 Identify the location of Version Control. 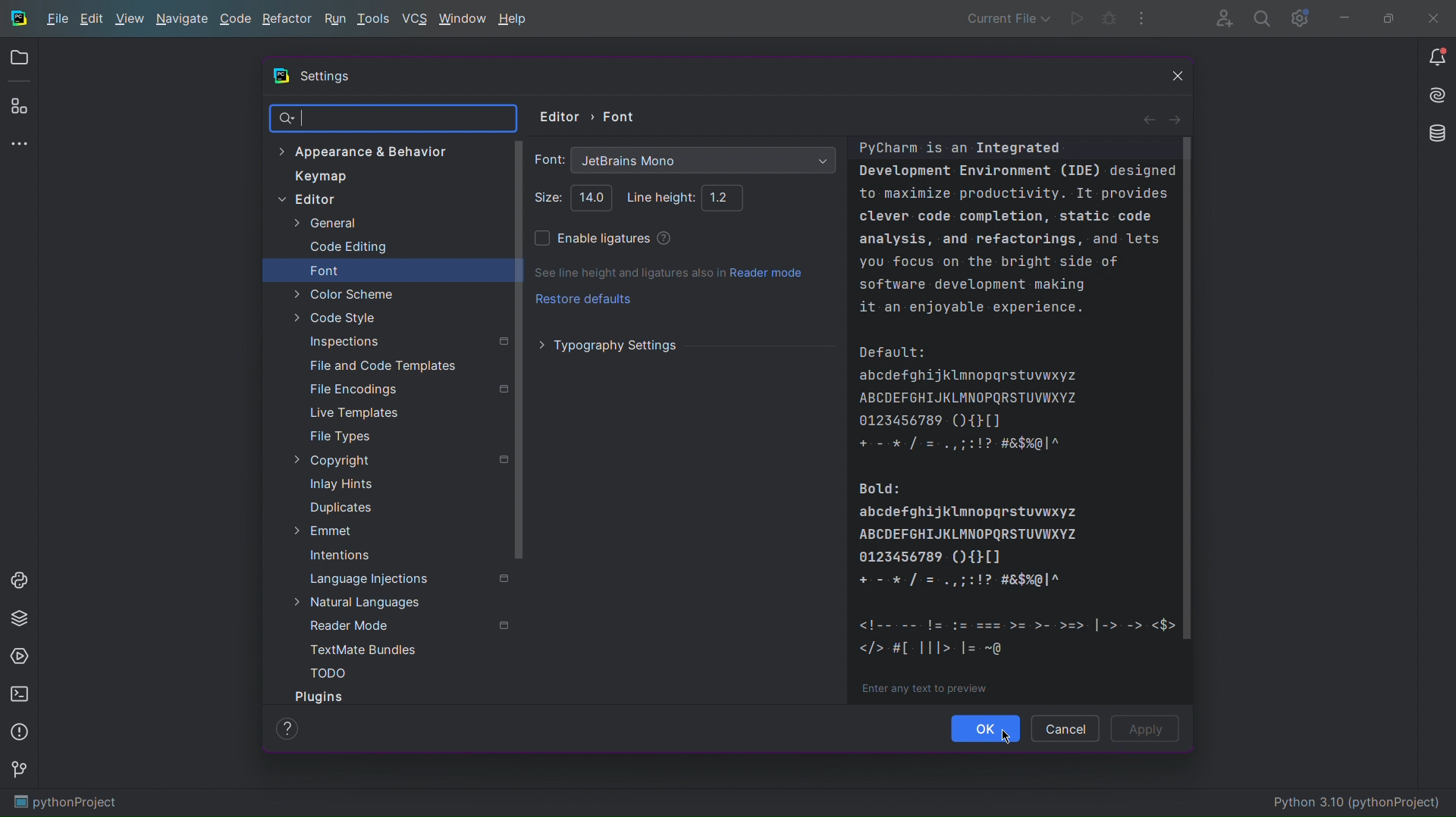
(22, 773).